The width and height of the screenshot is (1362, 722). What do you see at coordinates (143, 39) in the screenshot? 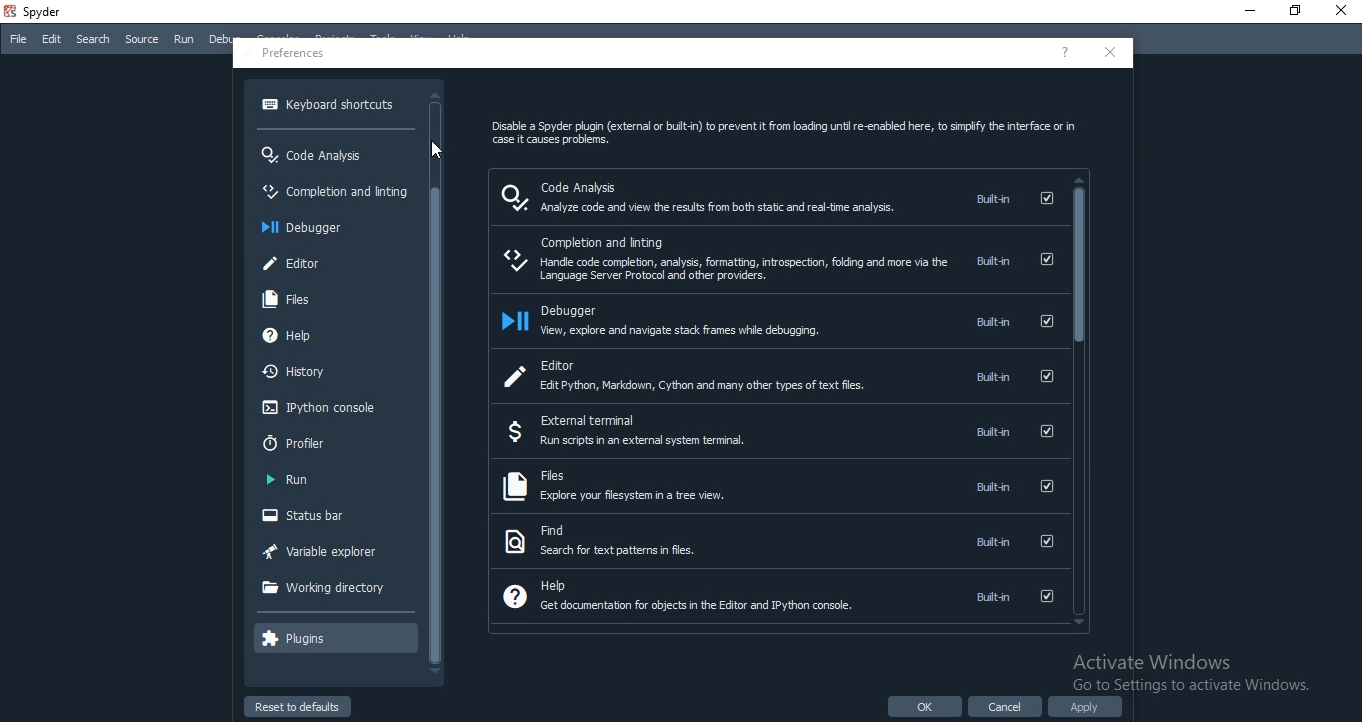
I see `Source` at bounding box center [143, 39].